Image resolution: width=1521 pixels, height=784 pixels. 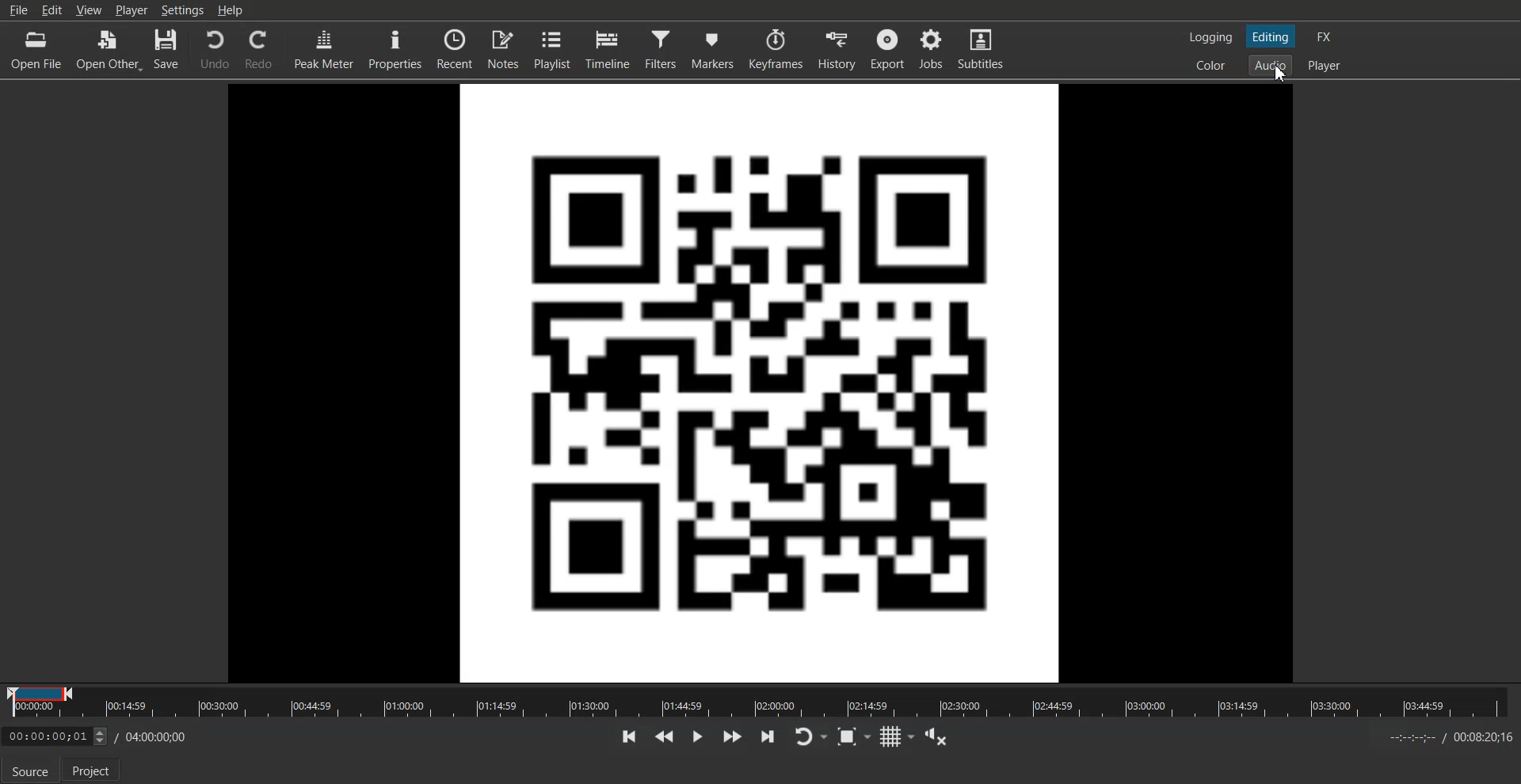 I want to click on Toggle grid display to the player, so click(x=897, y=736).